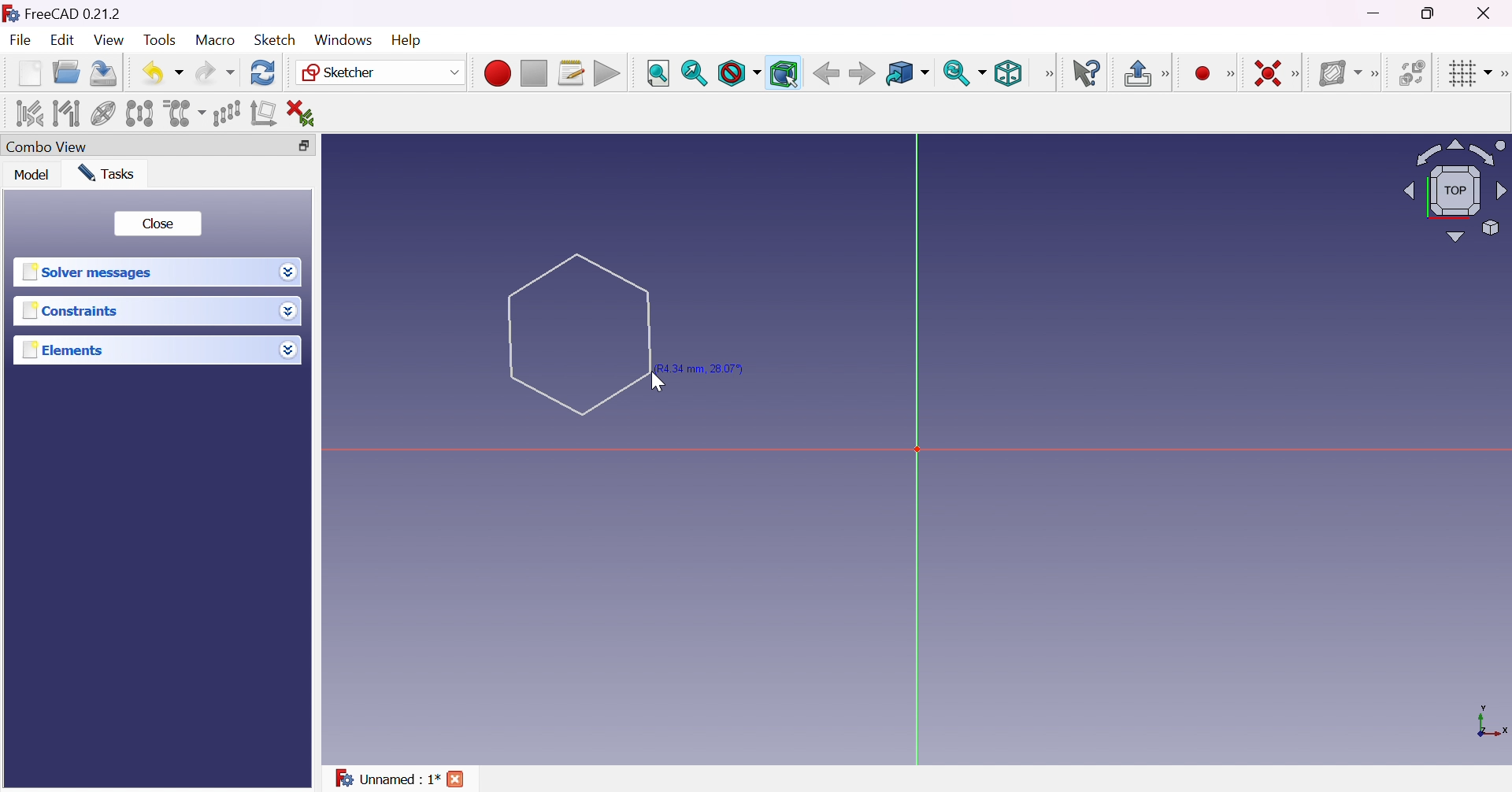 This screenshot has height=792, width=1512. What do you see at coordinates (457, 781) in the screenshot?
I see `Close` at bounding box center [457, 781].